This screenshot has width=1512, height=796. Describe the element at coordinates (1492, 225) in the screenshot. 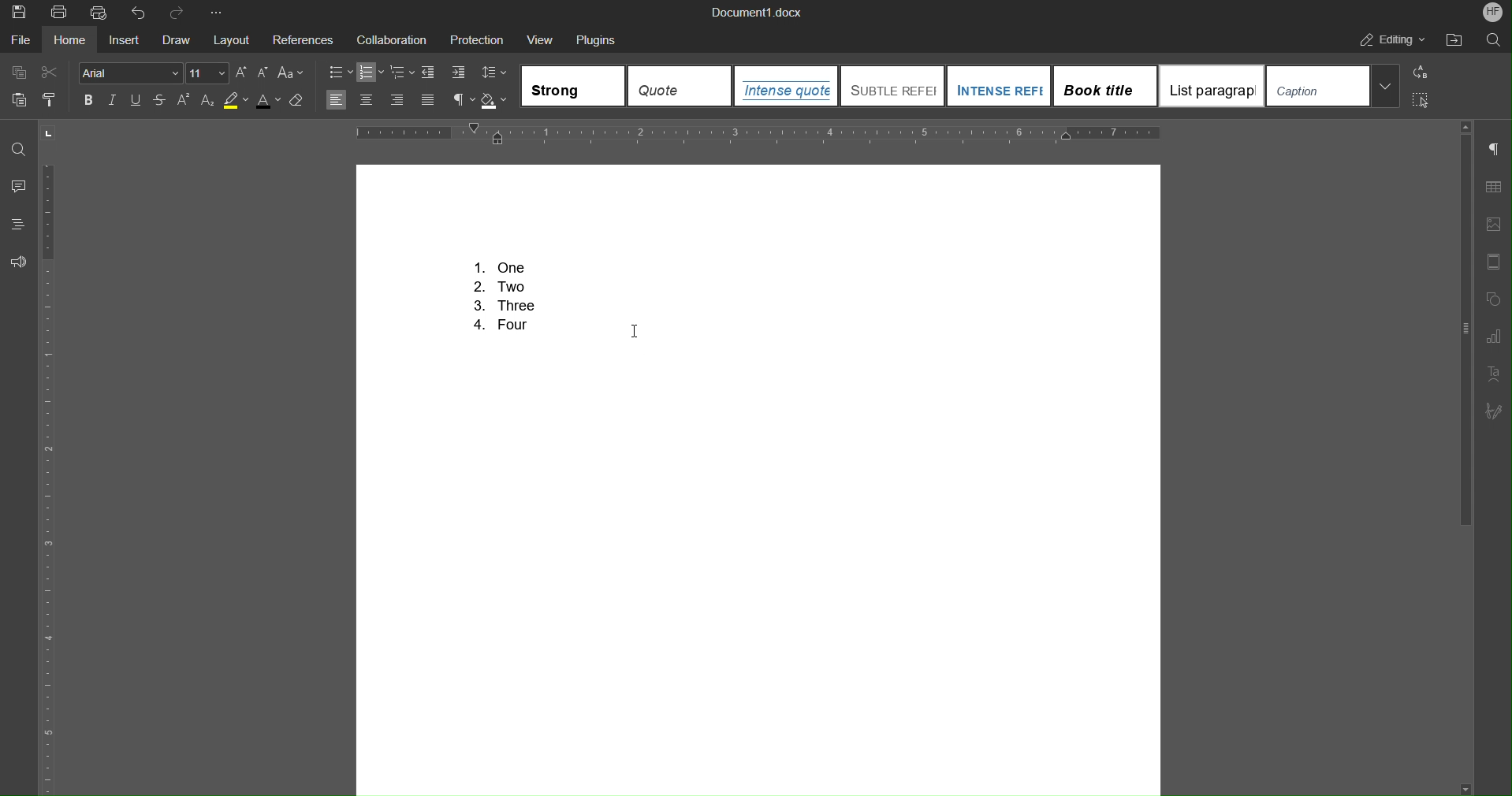

I see `Image Settings` at that location.